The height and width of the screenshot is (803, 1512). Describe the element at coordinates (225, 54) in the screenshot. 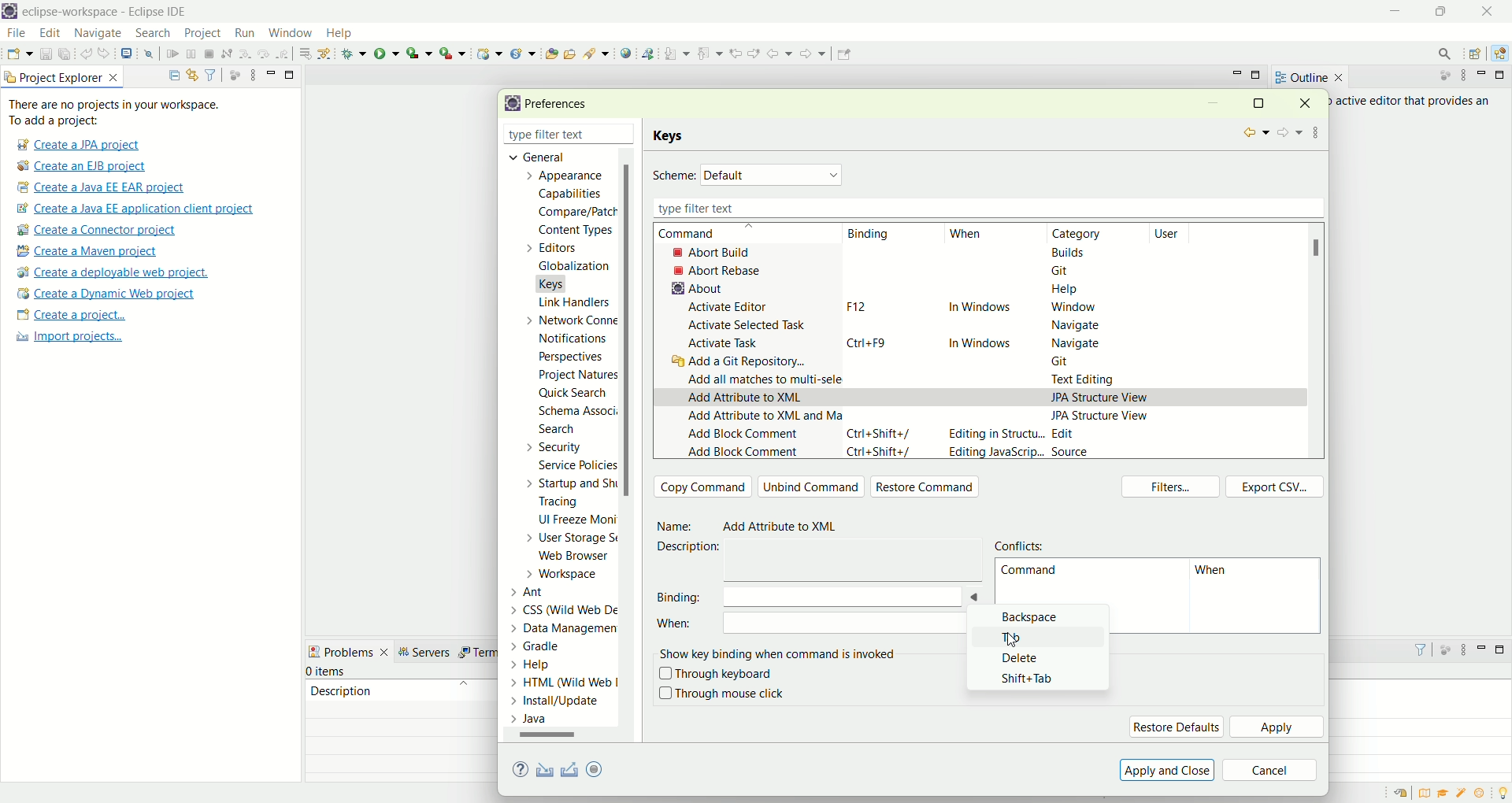

I see `disconnect` at that location.